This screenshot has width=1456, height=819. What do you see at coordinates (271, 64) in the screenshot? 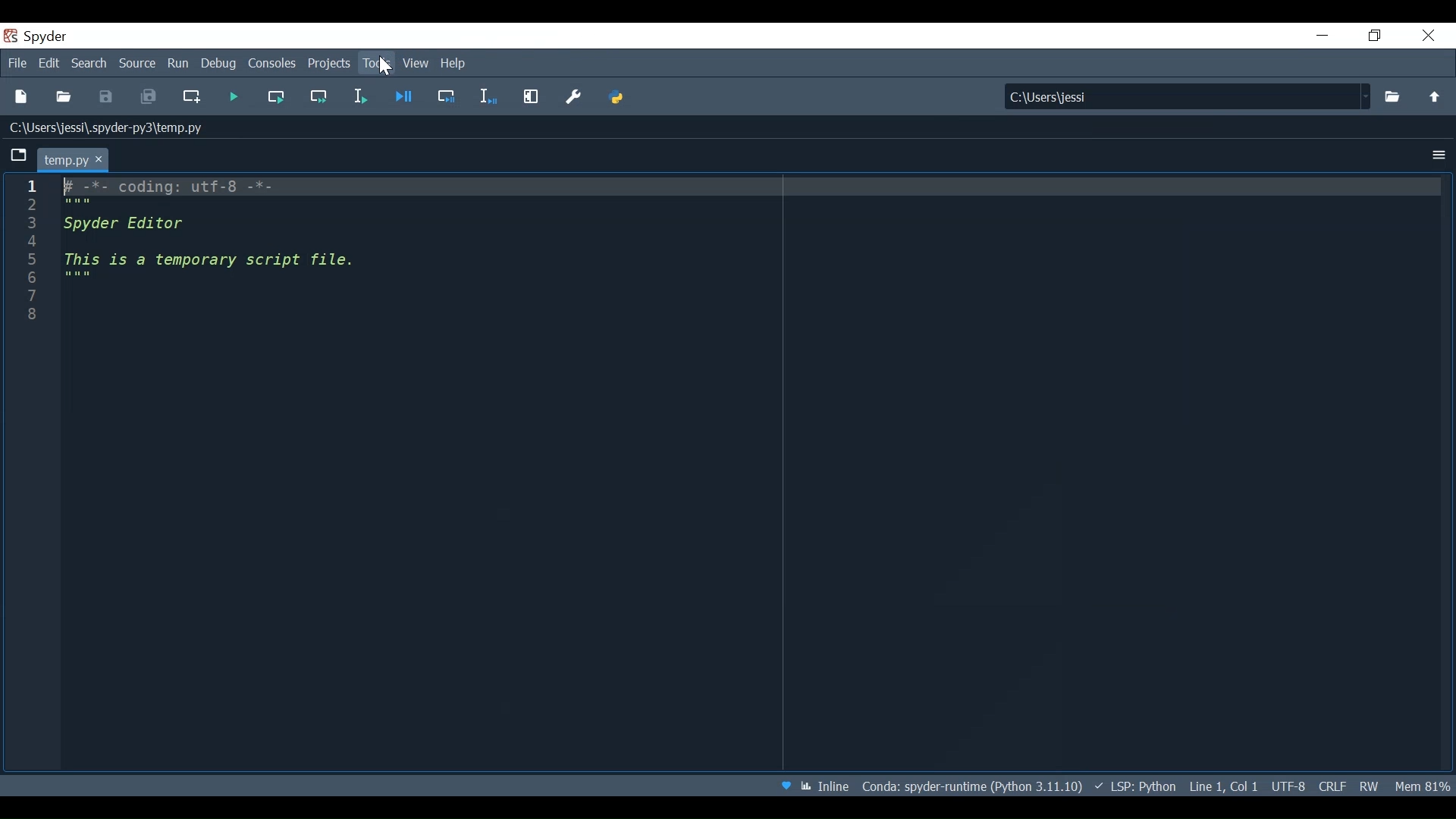
I see `Consoles` at bounding box center [271, 64].